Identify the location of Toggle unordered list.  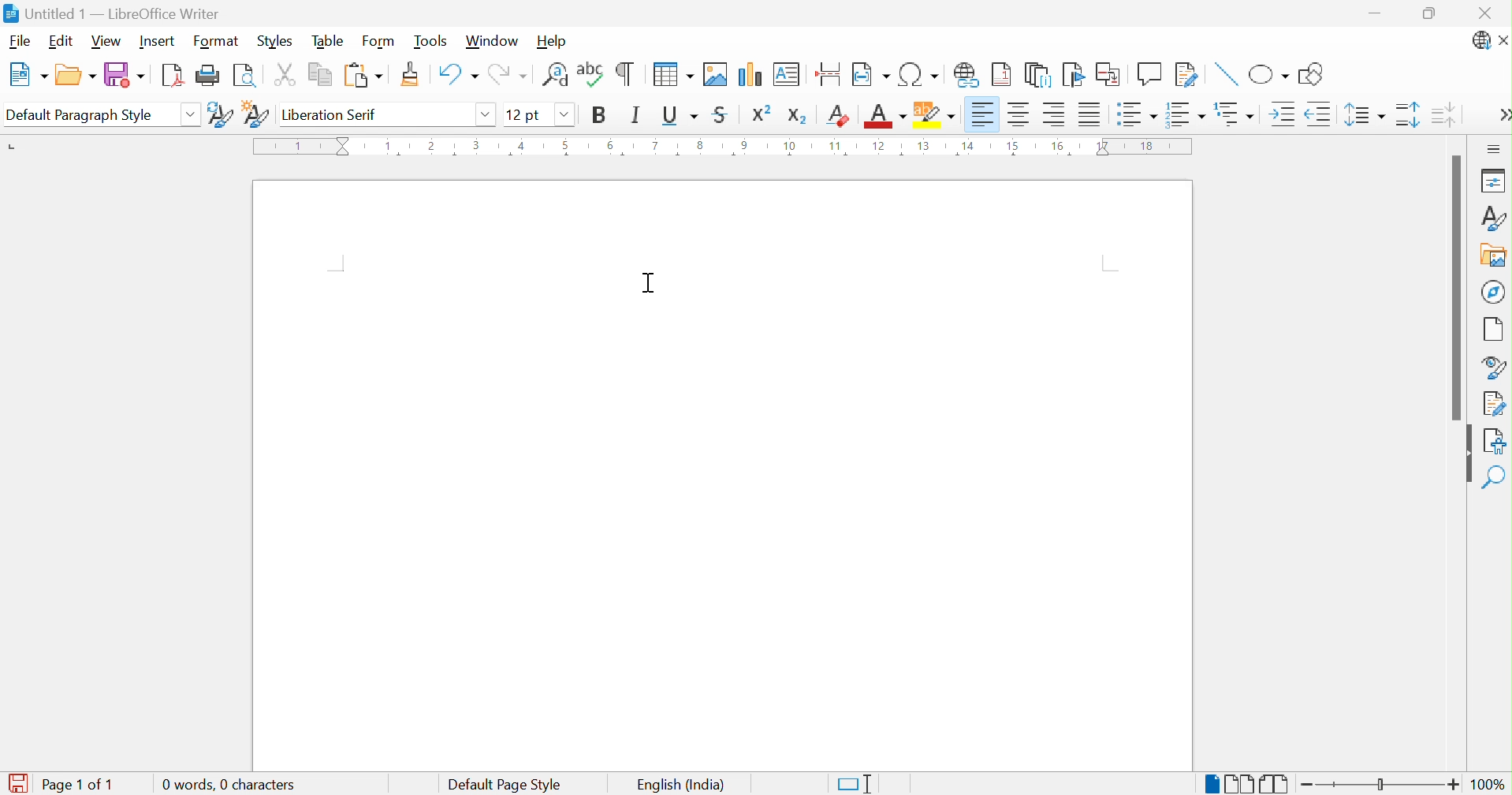
(1138, 117).